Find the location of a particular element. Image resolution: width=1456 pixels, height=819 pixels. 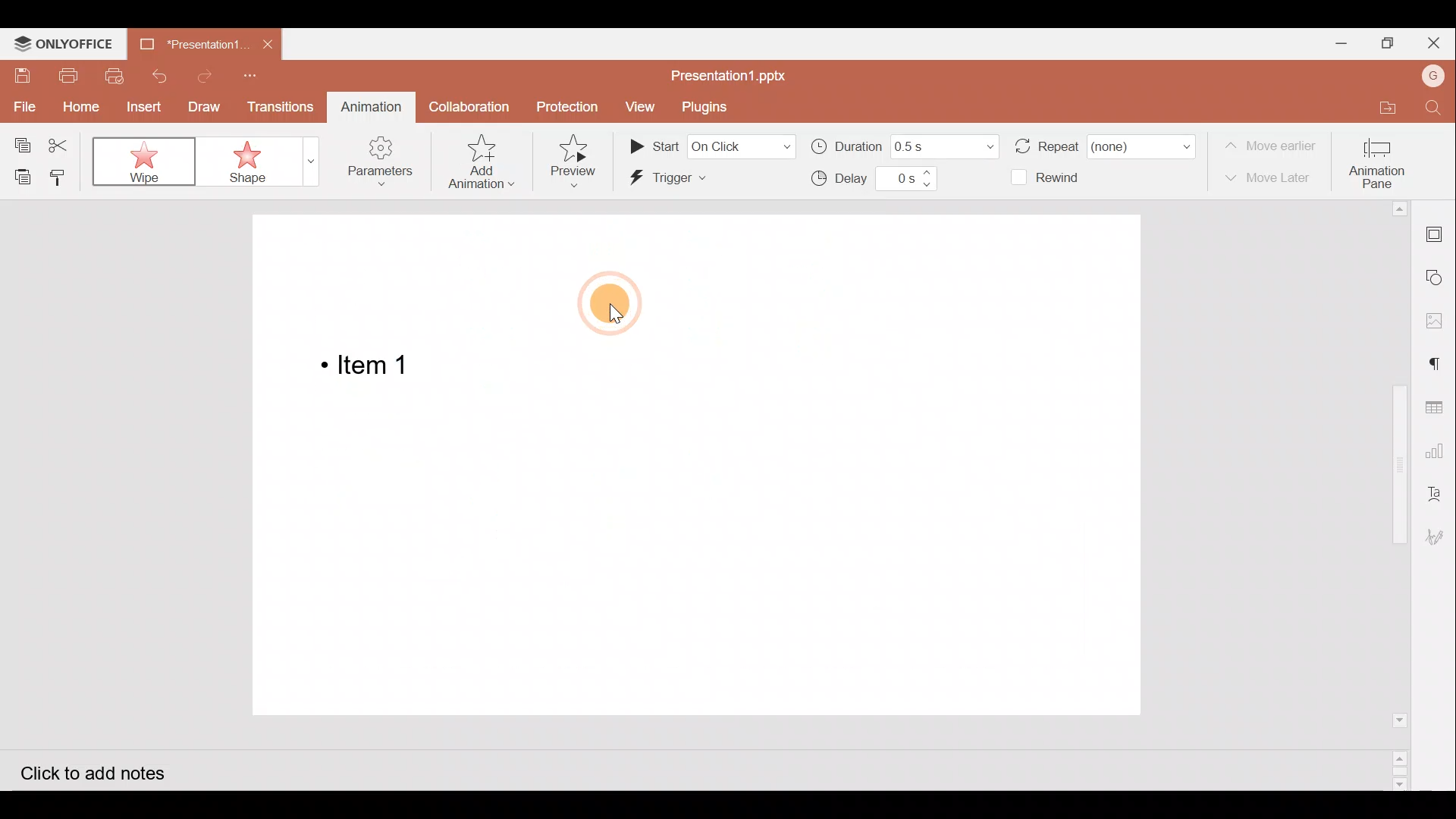

Chart settings is located at coordinates (1442, 447).